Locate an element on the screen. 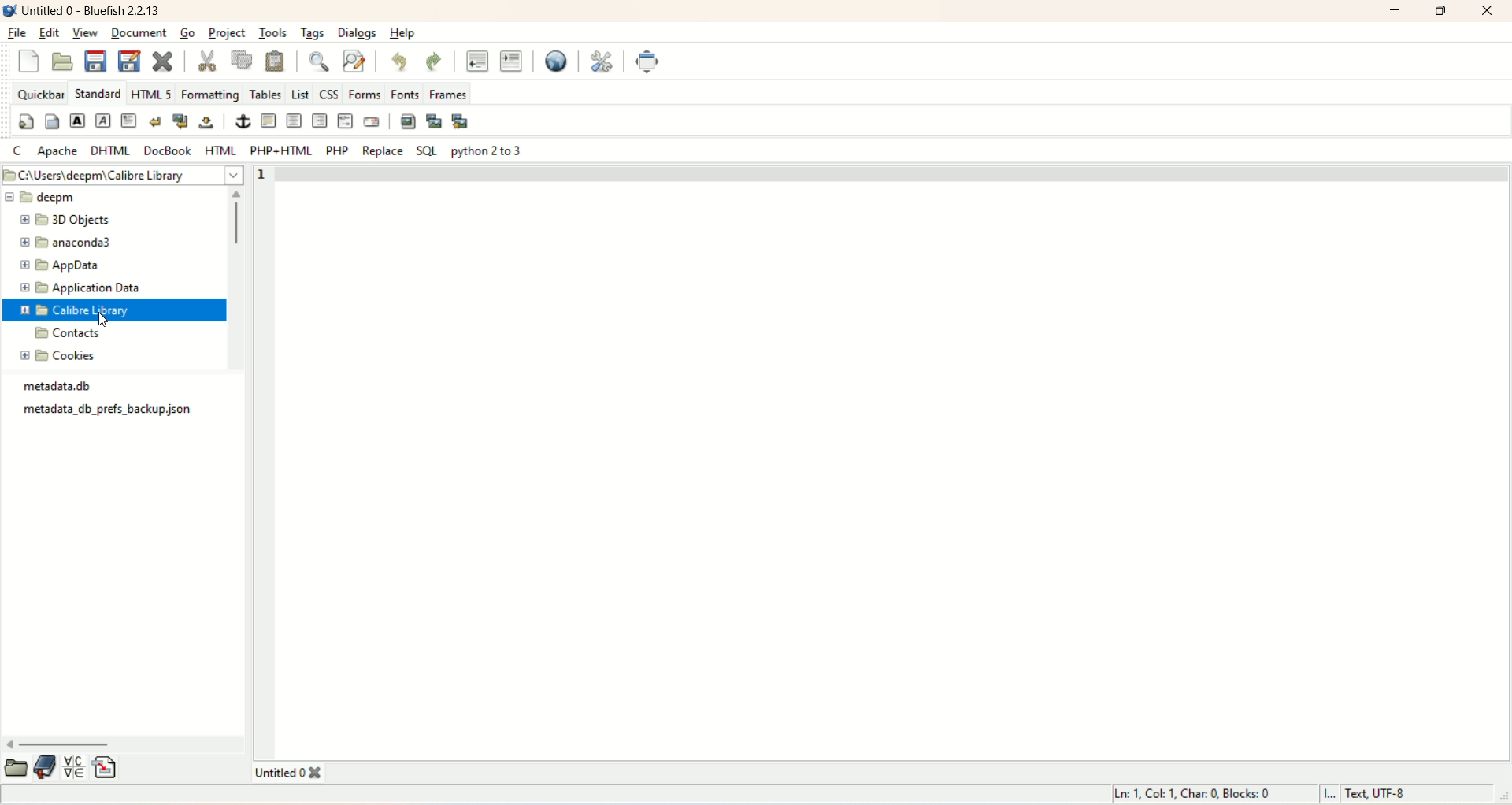  redo is located at coordinates (432, 59).